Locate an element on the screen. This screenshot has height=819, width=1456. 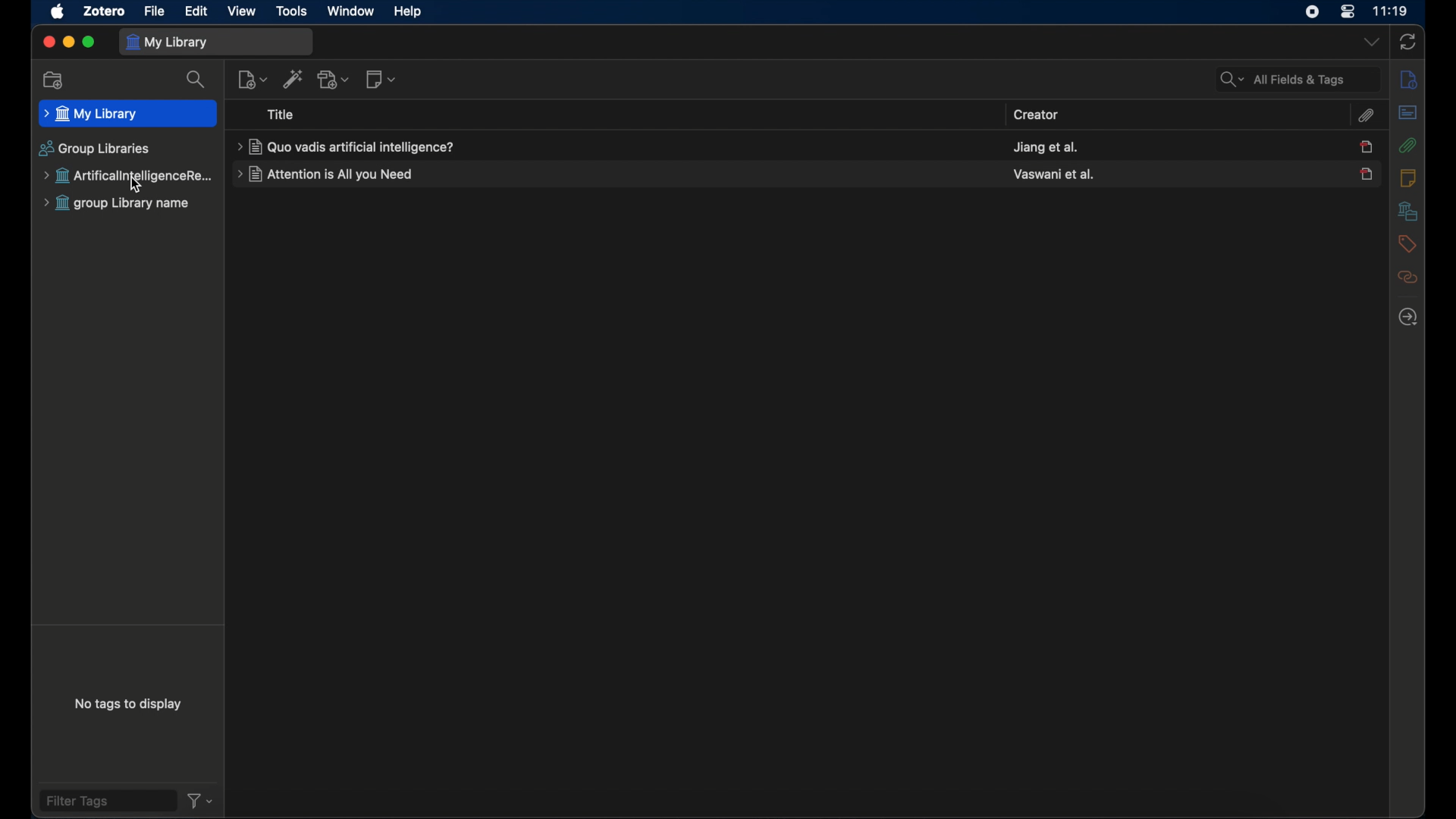
maximize is located at coordinates (89, 42).